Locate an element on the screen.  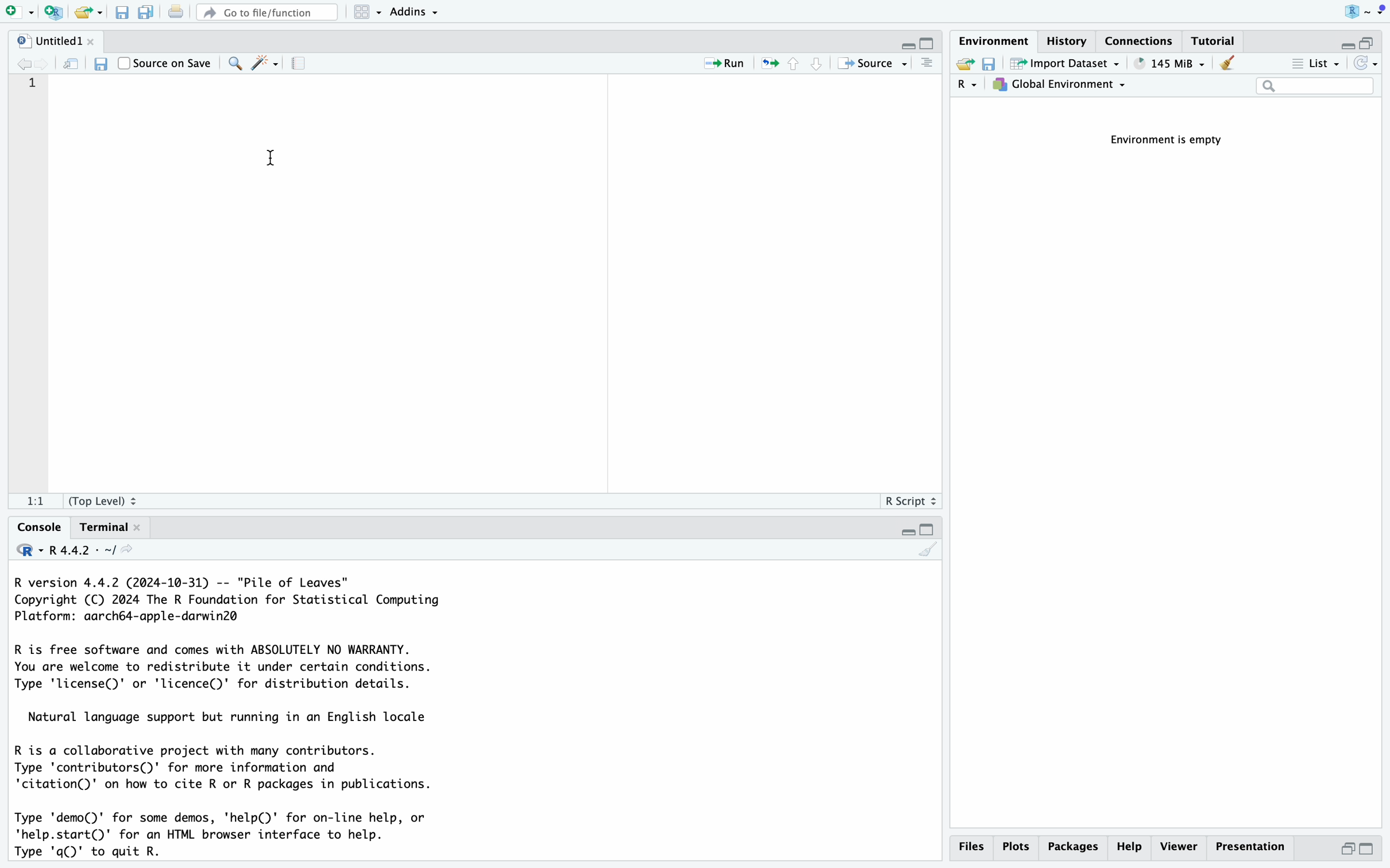
save workspace as is located at coordinates (993, 65).